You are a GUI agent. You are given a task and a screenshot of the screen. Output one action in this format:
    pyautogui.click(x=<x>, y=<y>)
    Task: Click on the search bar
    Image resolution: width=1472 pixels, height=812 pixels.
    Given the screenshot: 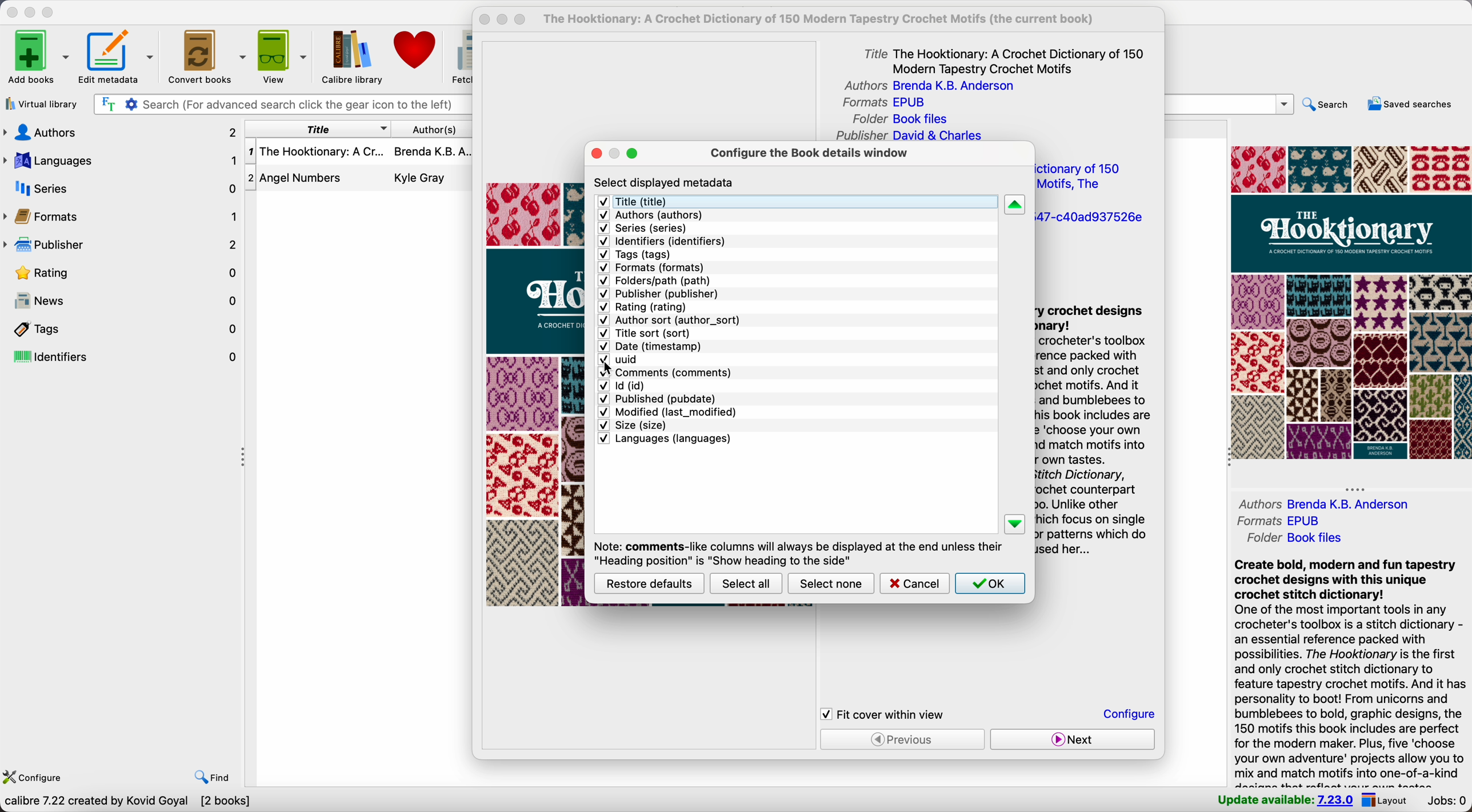 What is the action you would take?
    pyautogui.click(x=1230, y=104)
    